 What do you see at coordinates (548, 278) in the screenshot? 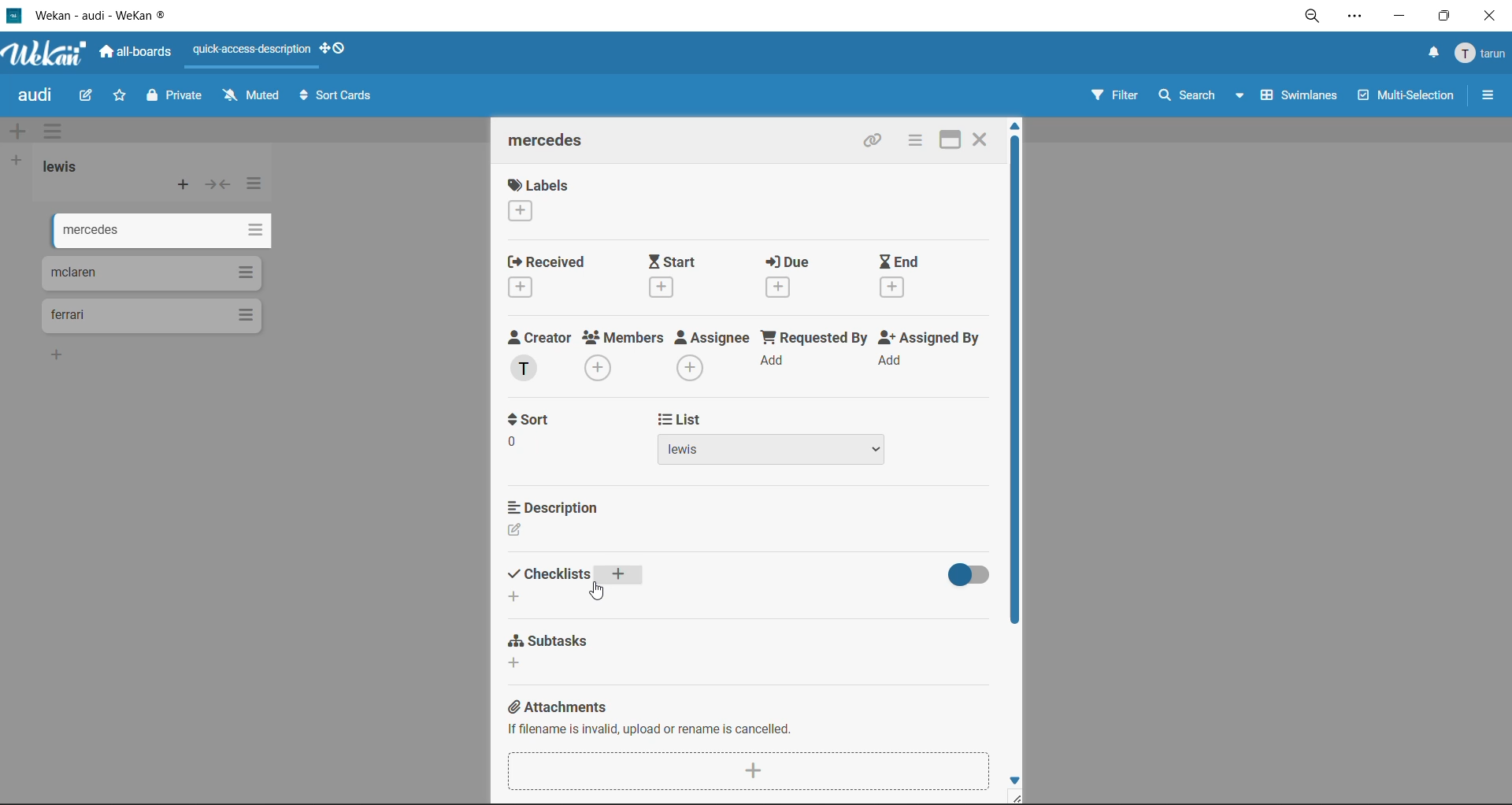
I see `recieved` at bounding box center [548, 278].